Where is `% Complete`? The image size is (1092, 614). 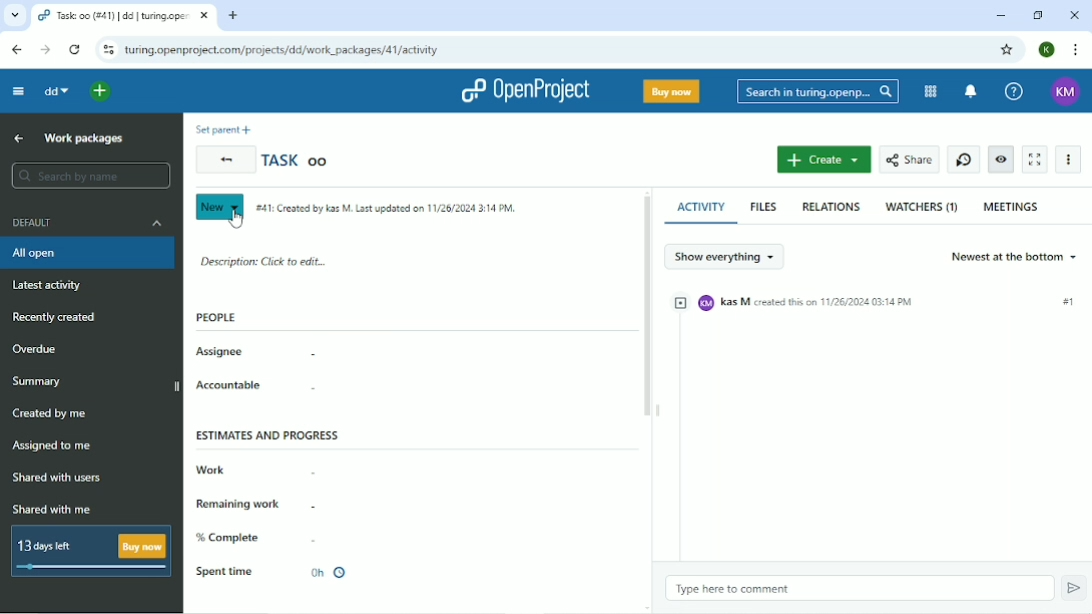
% Complete is located at coordinates (229, 538).